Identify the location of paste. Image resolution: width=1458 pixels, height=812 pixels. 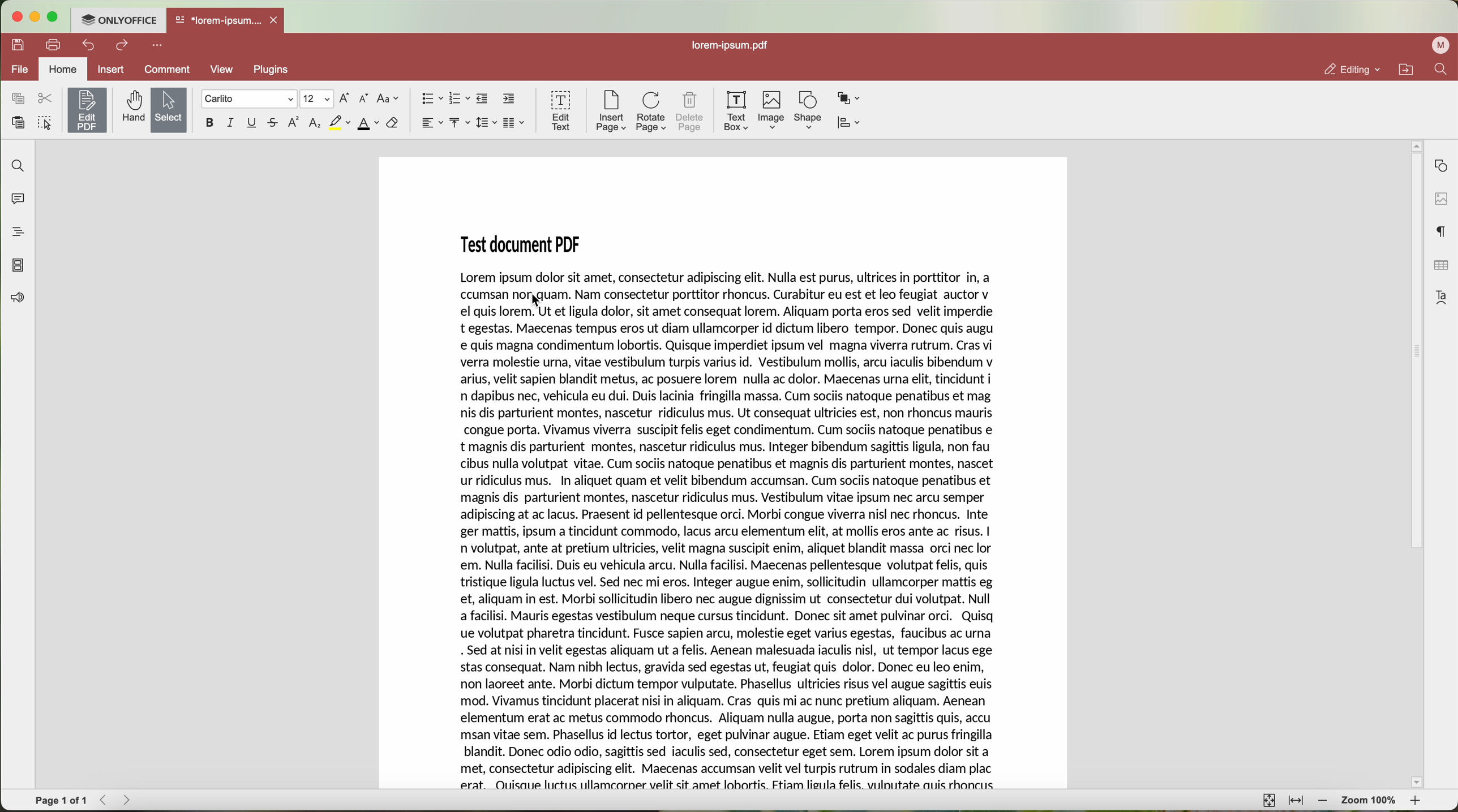
(19, 122).